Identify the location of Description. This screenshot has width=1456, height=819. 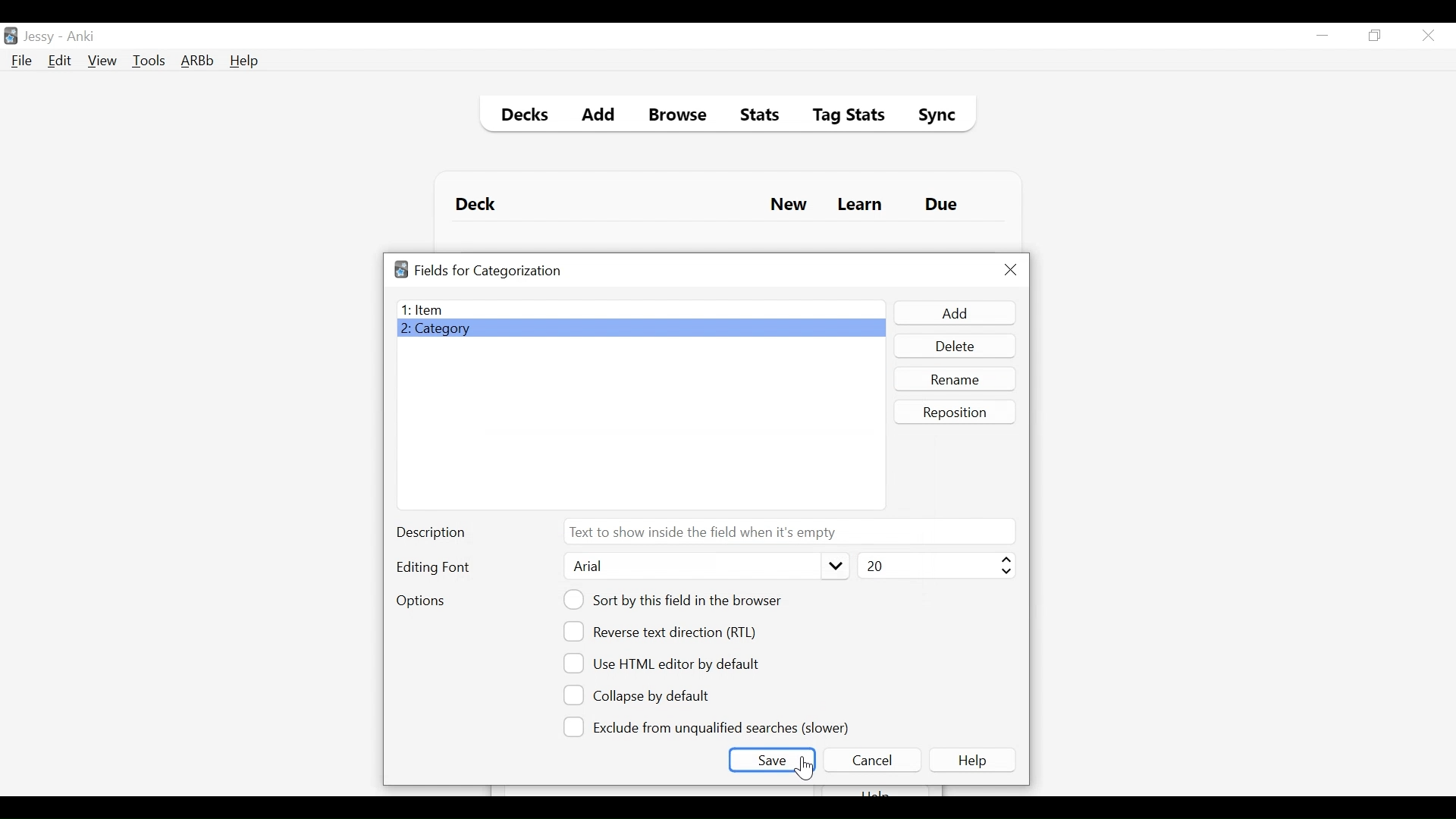
(435, 534).